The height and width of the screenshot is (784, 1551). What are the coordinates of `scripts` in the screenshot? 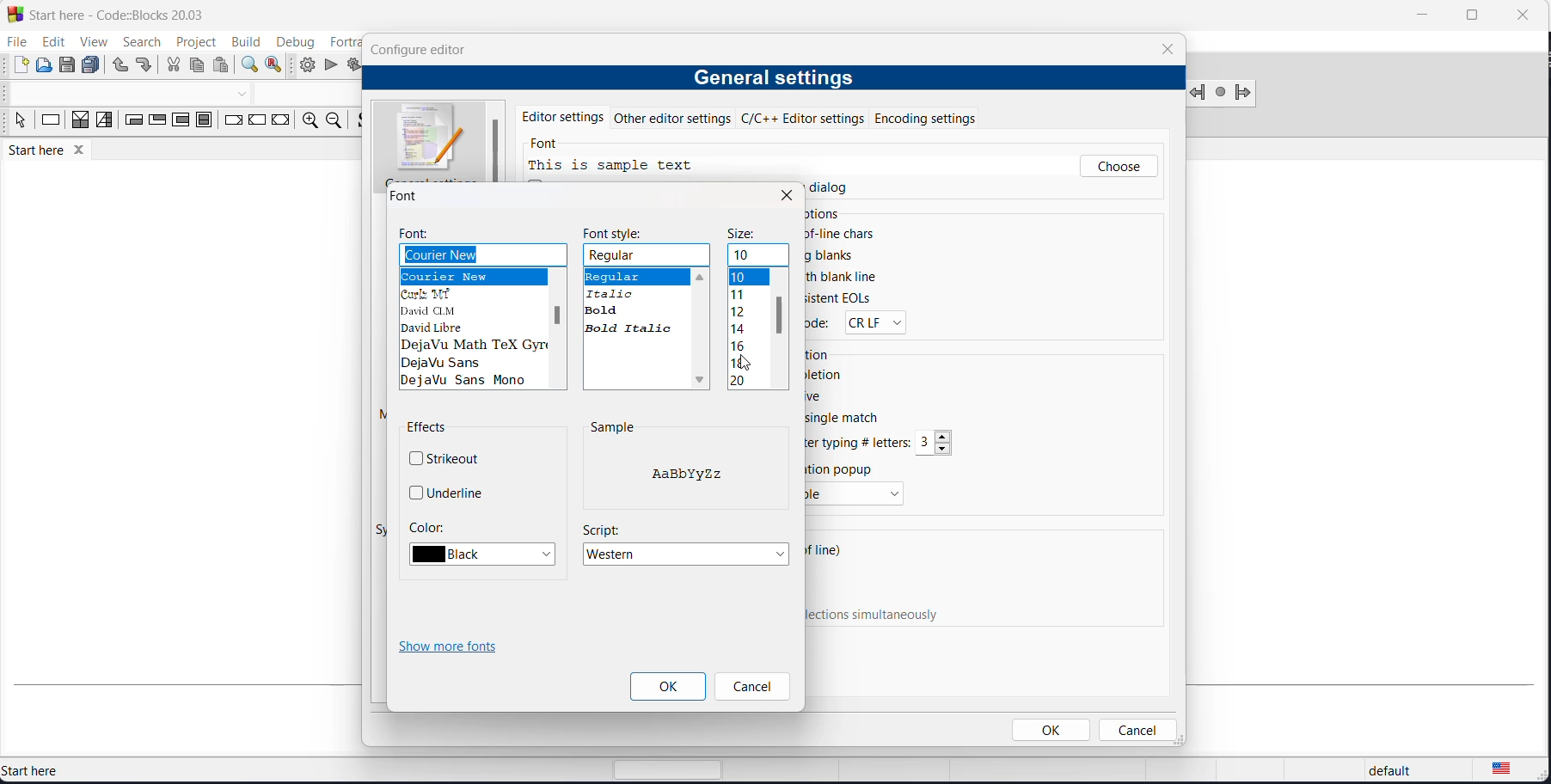 It's located at (602, 529).